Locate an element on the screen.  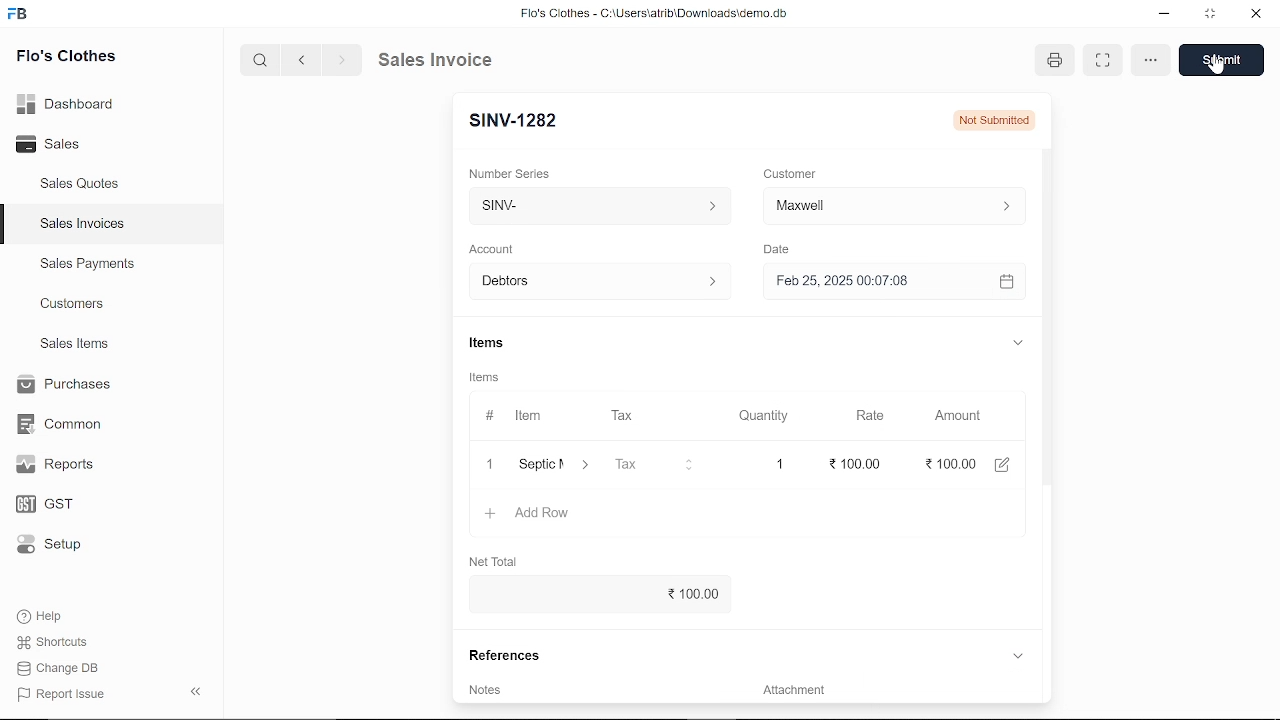
H Feb 25, 2025 00:07:08  is located at coordinates (876, 282).